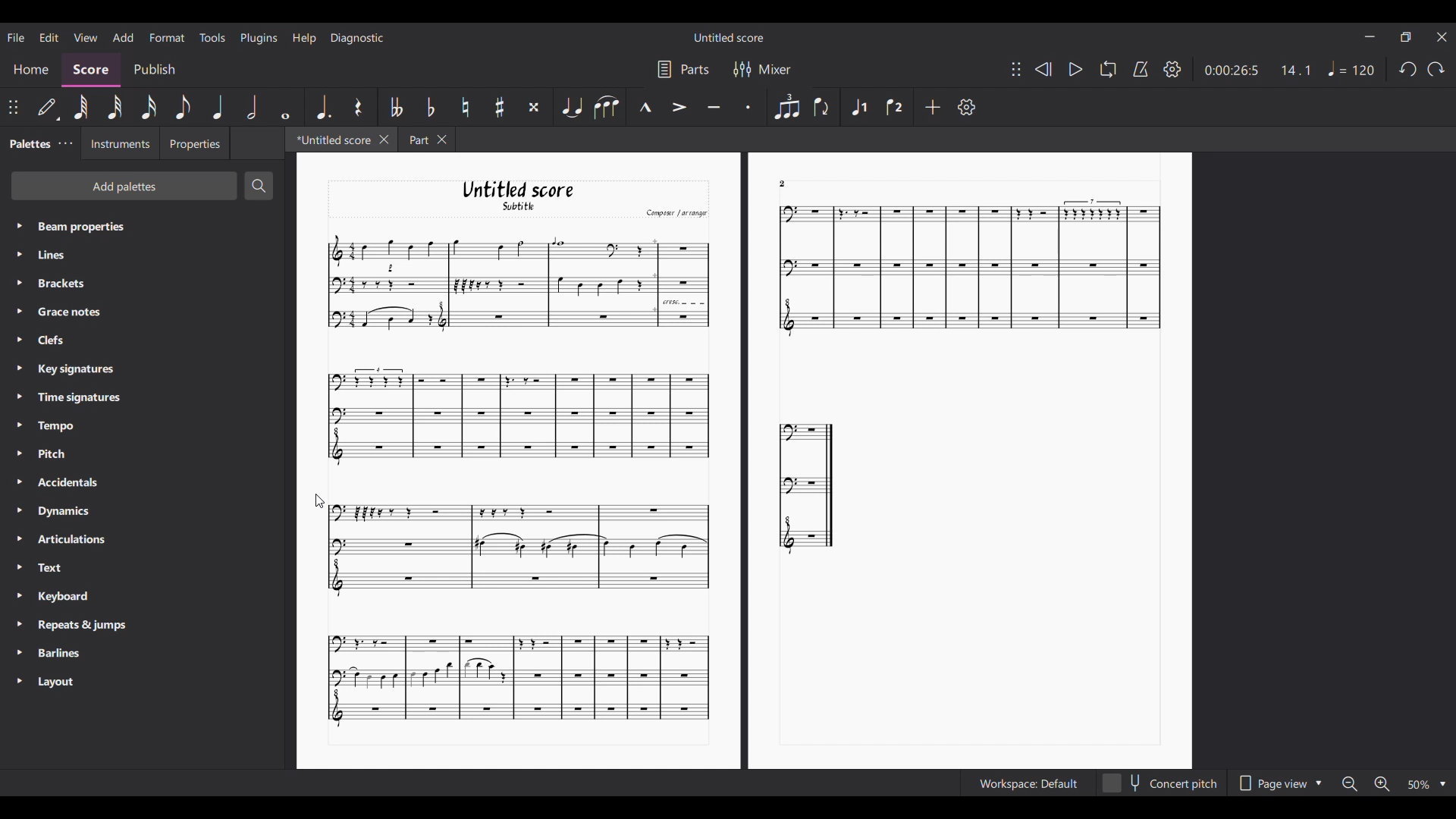 The image size is (1456, 819). I want to click on Graph, so click(963, 270).